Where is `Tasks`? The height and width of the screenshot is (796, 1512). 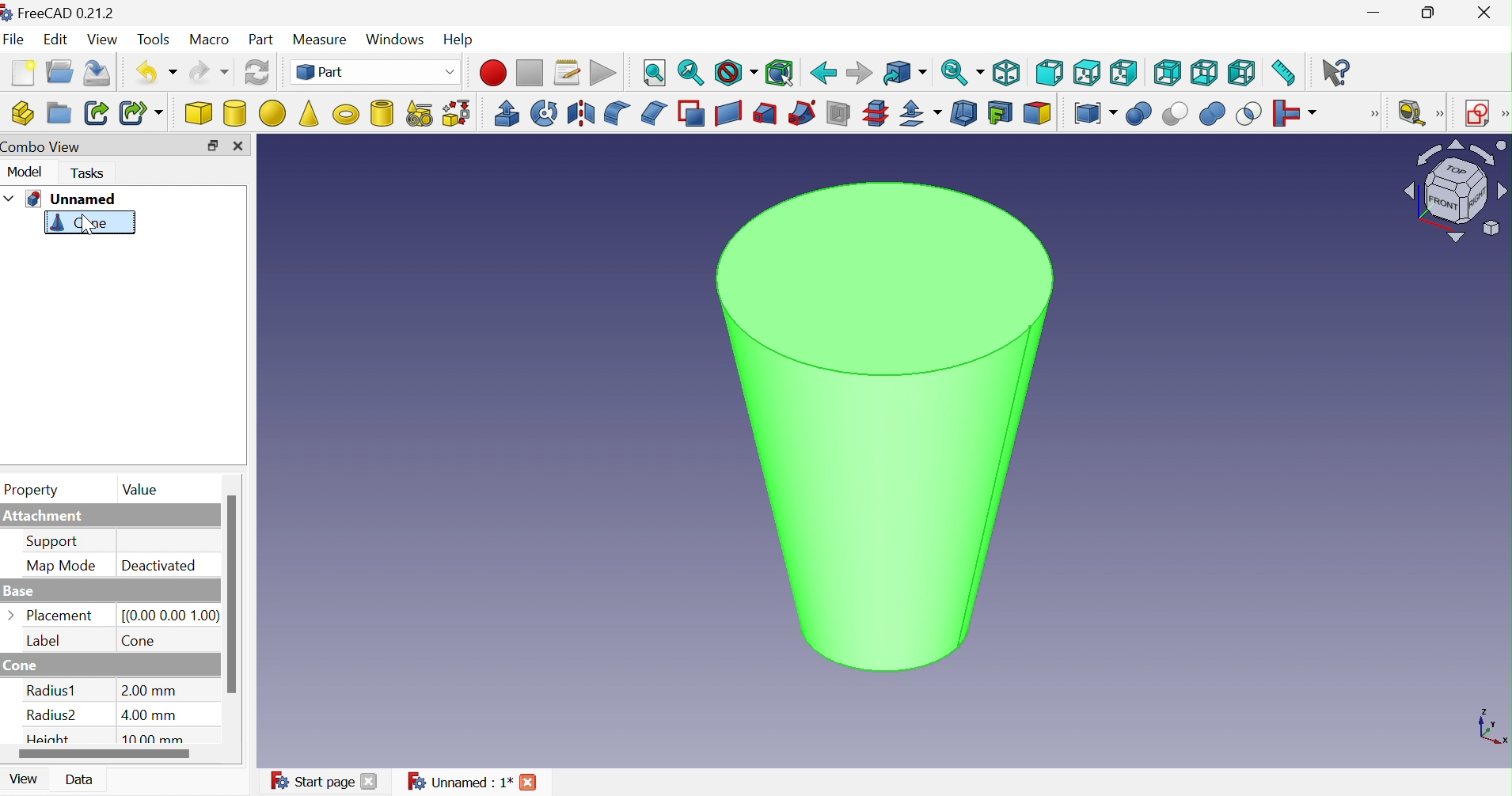
Tasks is located at coordinates (86, 174).